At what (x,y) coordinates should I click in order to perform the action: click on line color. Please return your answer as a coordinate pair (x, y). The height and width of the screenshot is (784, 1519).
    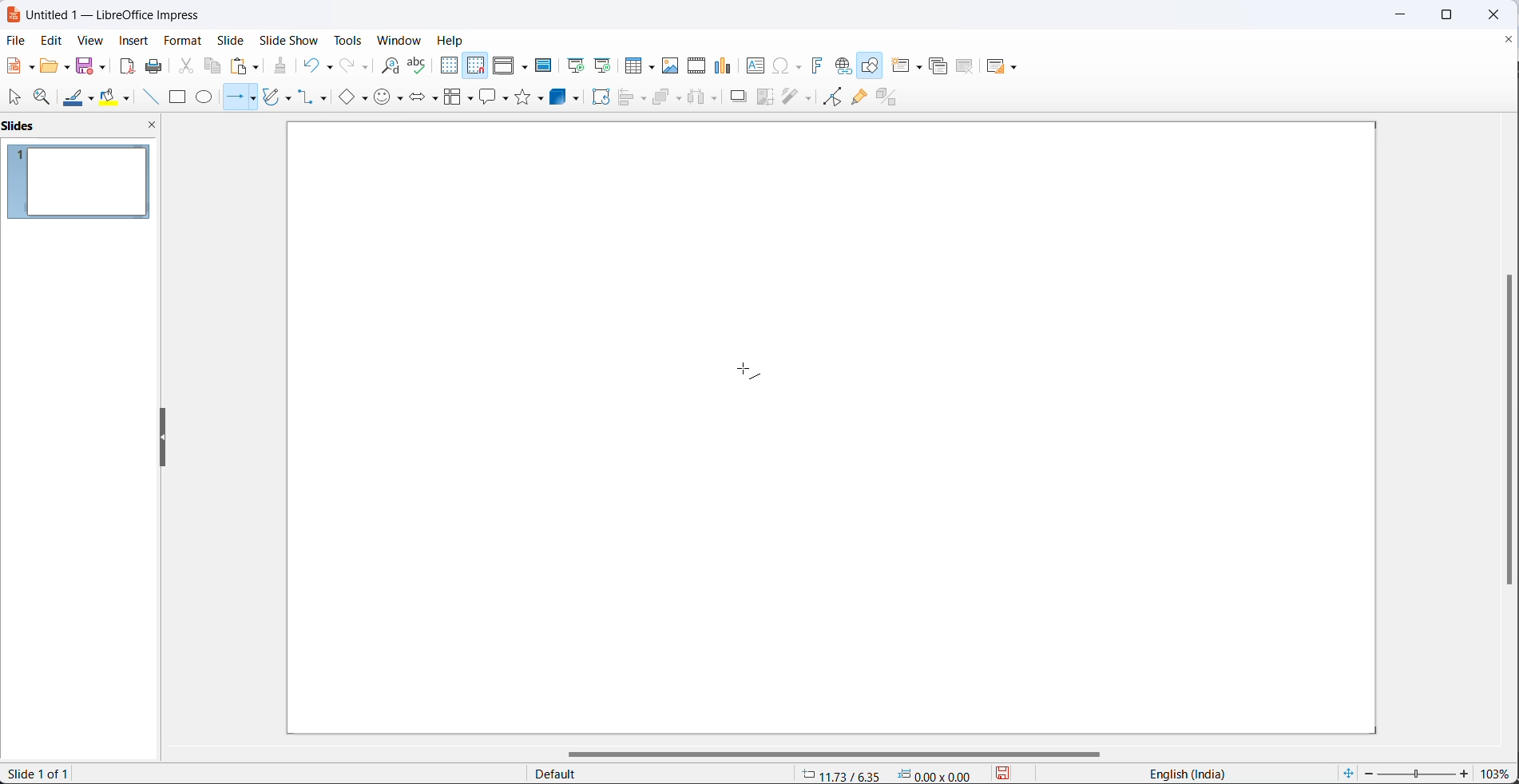
    Looking at the image, I should click on (79, 98).